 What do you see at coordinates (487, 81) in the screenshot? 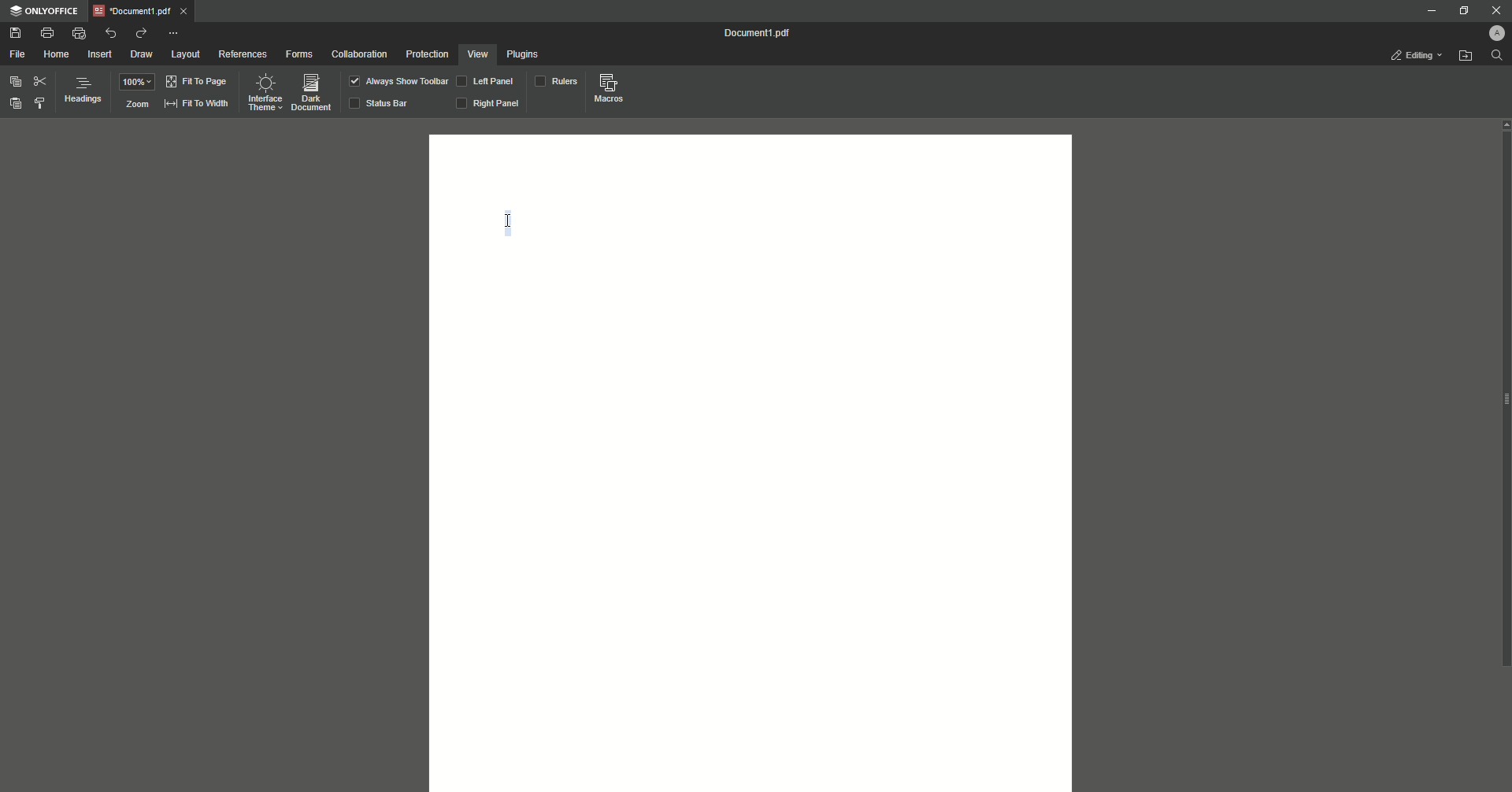
I see `Left Panel` at bounding box center [487, 81].